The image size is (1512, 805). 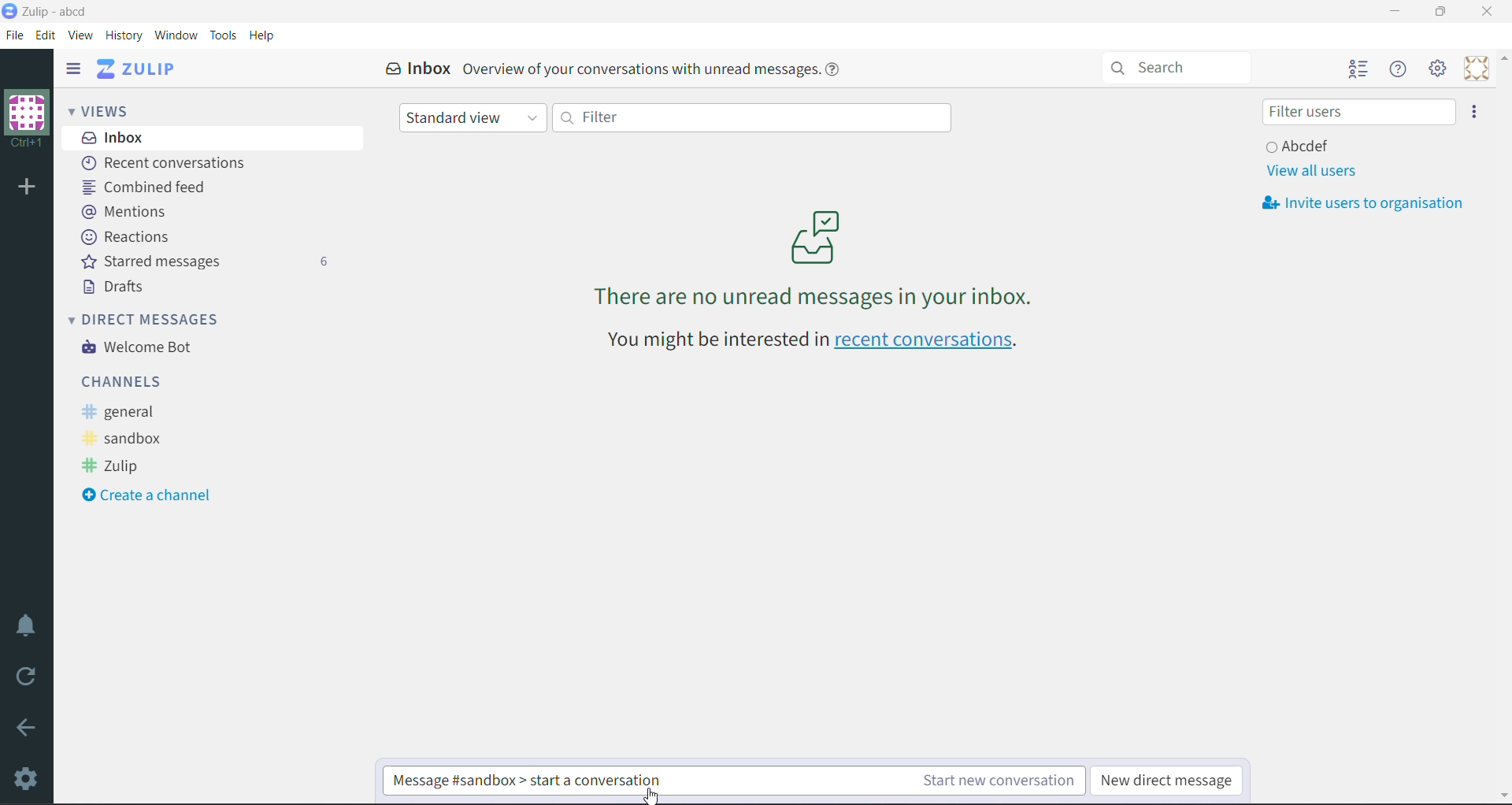 What do you see at coordinates (1399, 69) in the screenshot?
I see `Hide Menu` at bounding box center [1399, 69].